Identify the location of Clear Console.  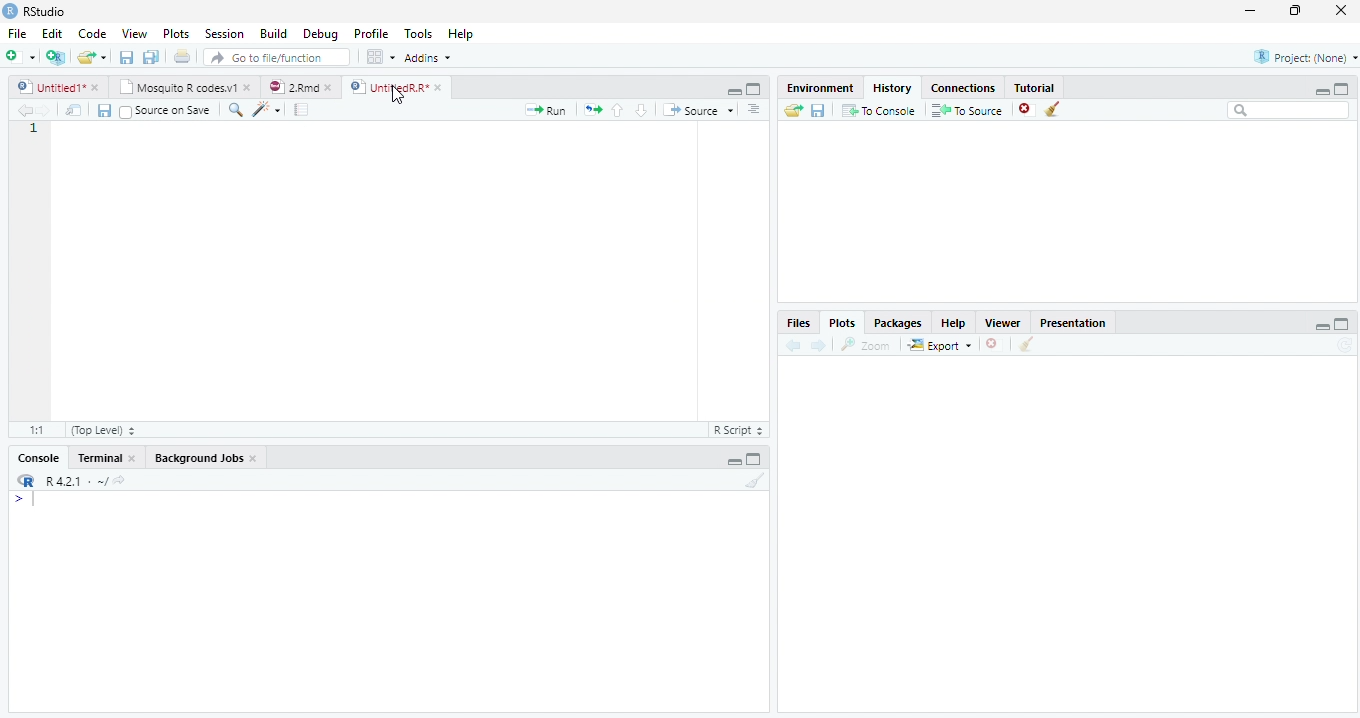
(753, 482).